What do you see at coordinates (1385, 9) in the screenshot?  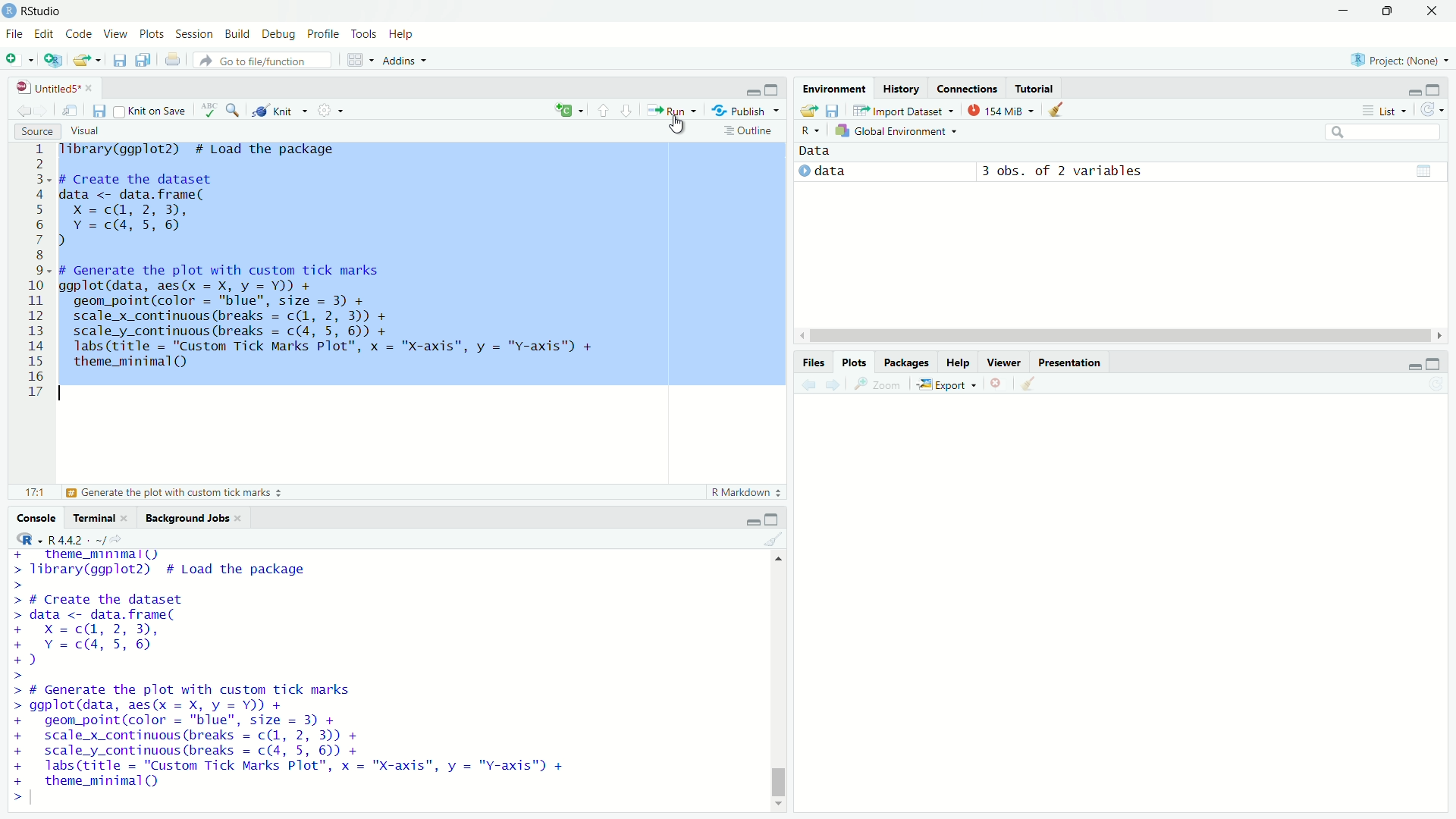 I see `maximize` at bounding box center [1385, 9].